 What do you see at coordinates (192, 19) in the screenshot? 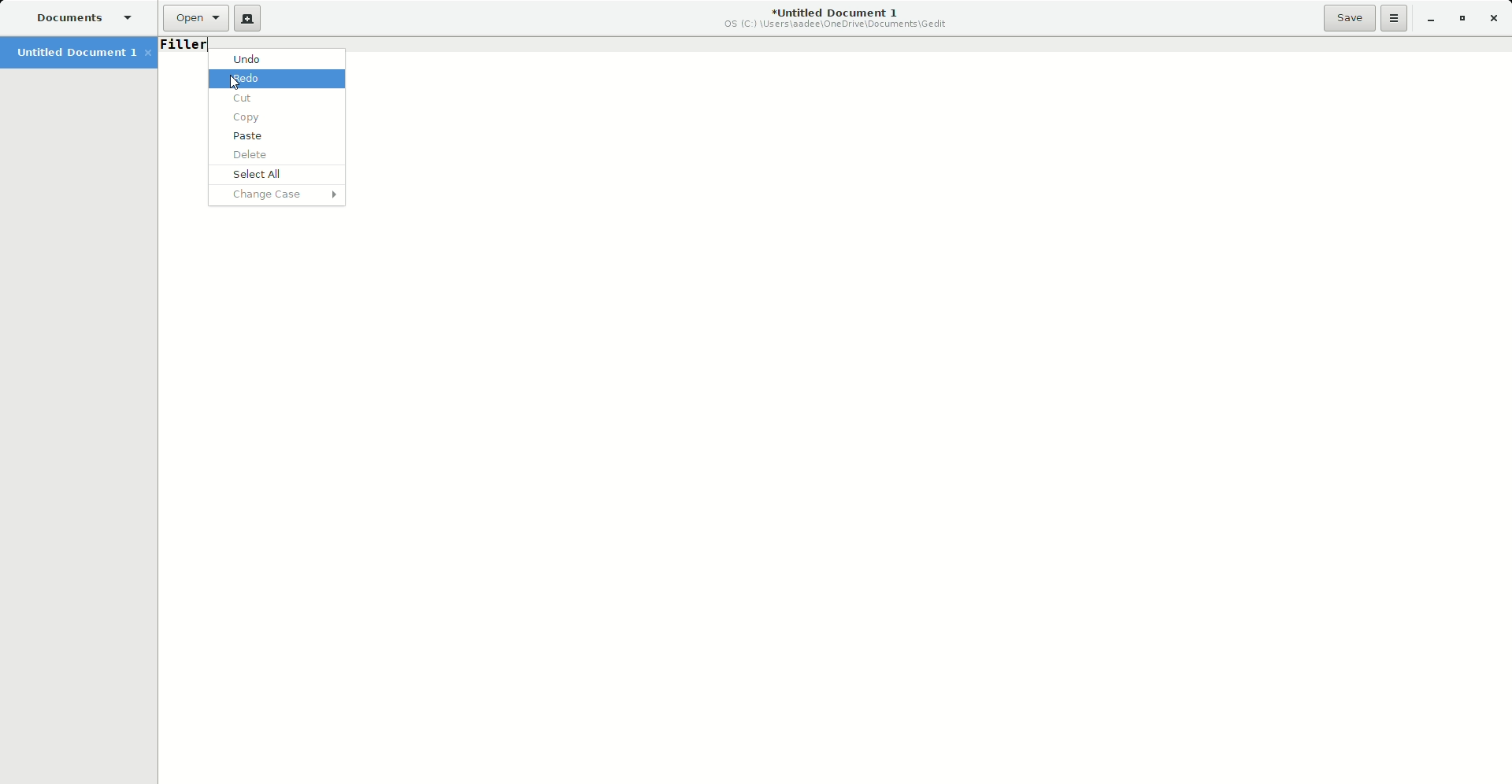
I see `Open` at bounding box center [192, 19].